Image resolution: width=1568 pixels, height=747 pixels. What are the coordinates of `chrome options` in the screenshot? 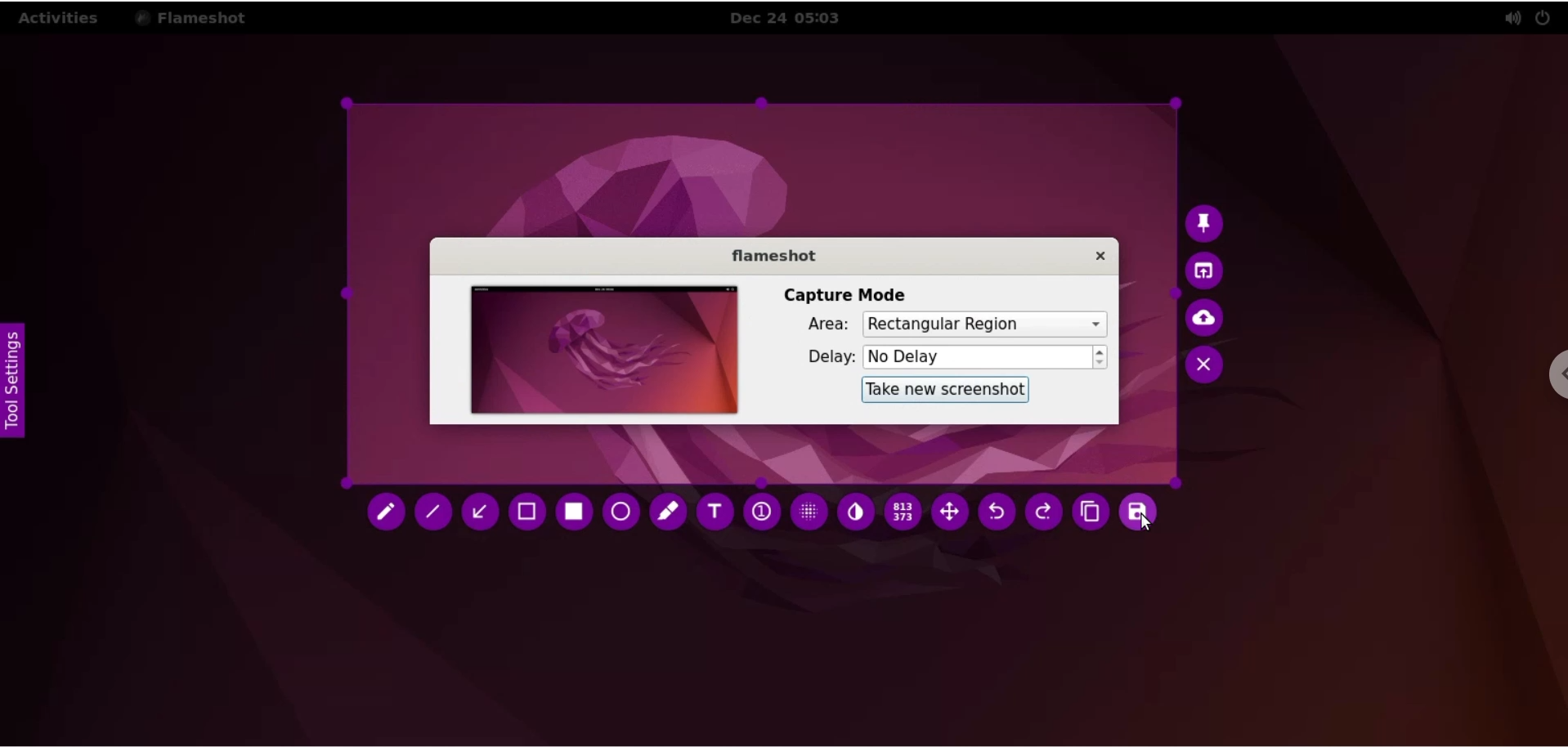 It's located at (1554, 378).